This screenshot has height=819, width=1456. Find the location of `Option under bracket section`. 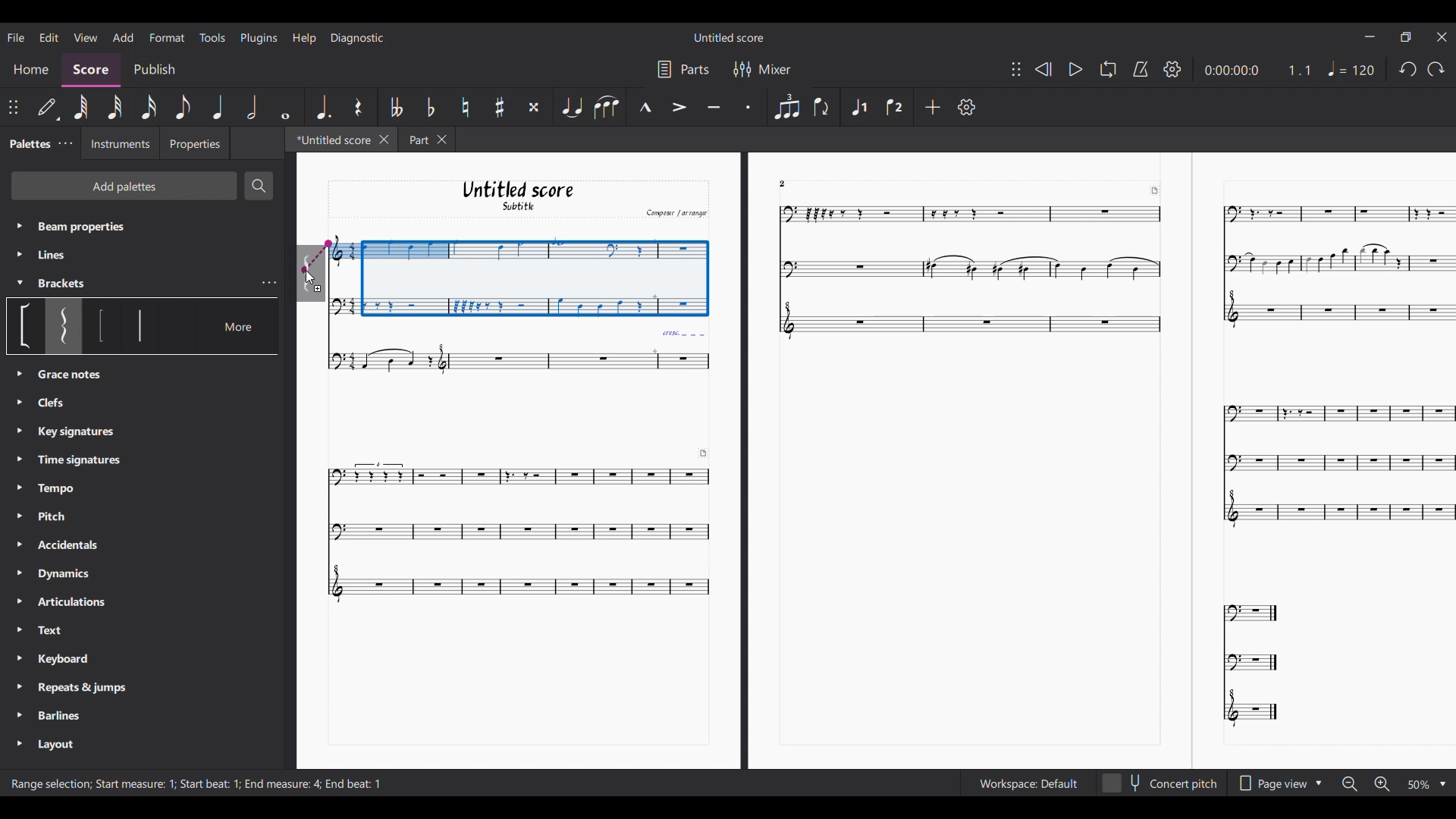

Option under bracket section is located at coordinates (102, 326).